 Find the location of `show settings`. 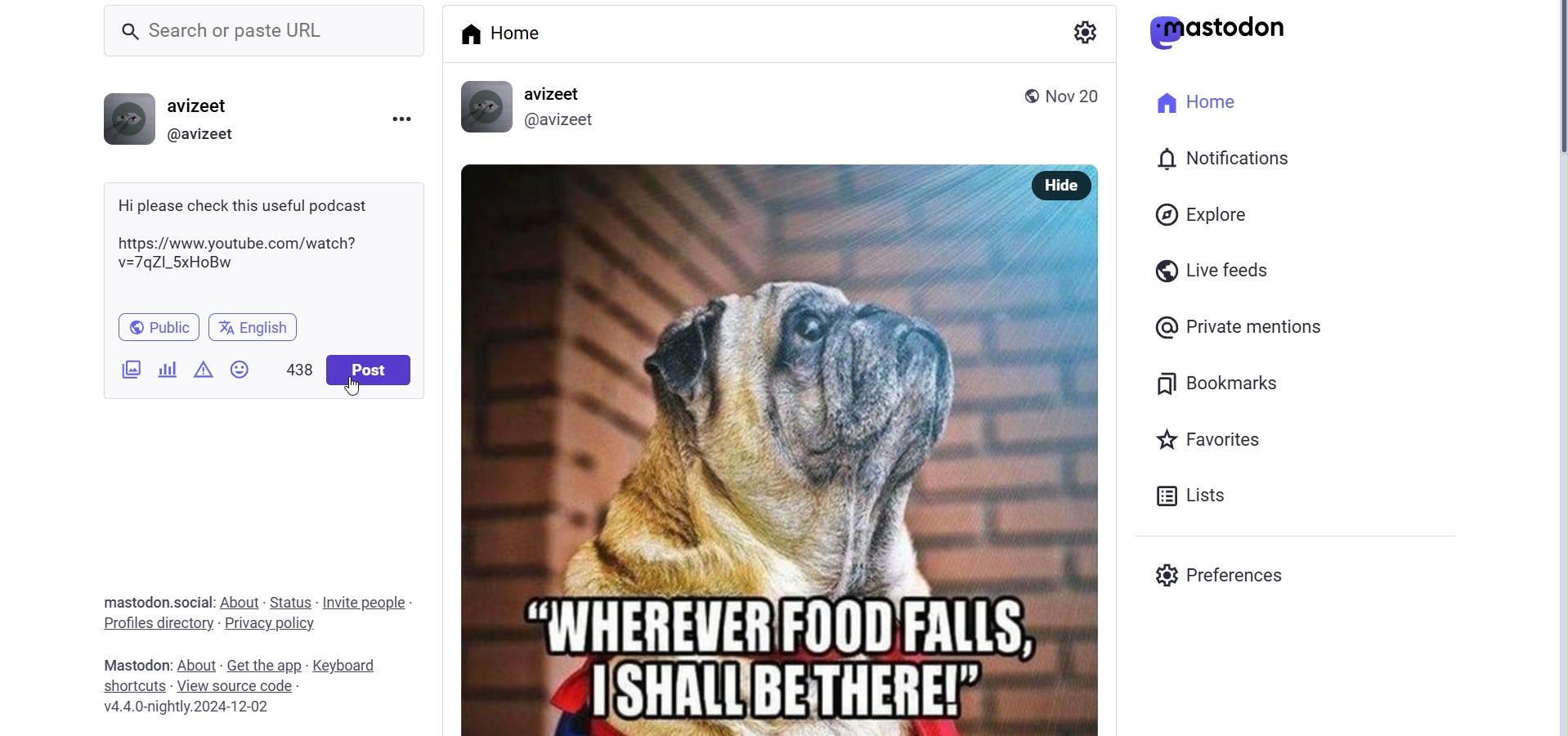

show settings is located at coordinates (1083, 30).